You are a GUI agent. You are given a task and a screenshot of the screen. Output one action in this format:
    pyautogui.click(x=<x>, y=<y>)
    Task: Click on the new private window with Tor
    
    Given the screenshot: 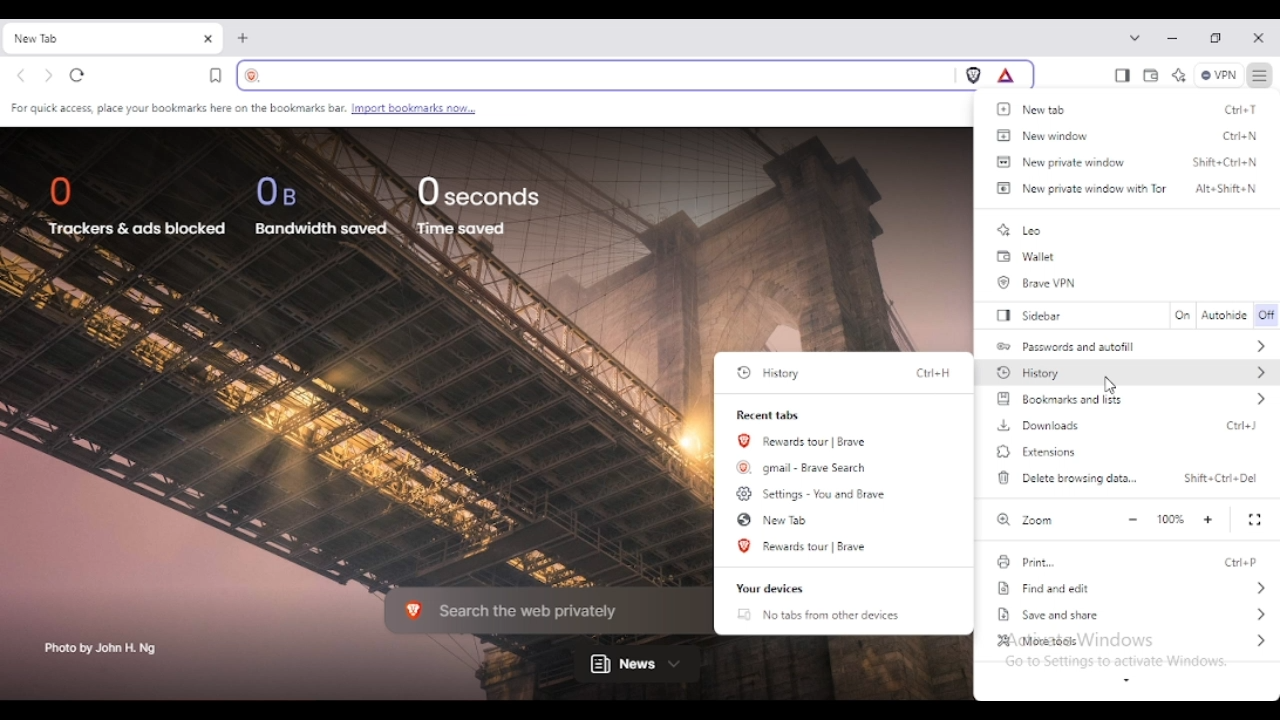 What is the action you would take?
    pyautogui.click(x=1079, y=188)
    